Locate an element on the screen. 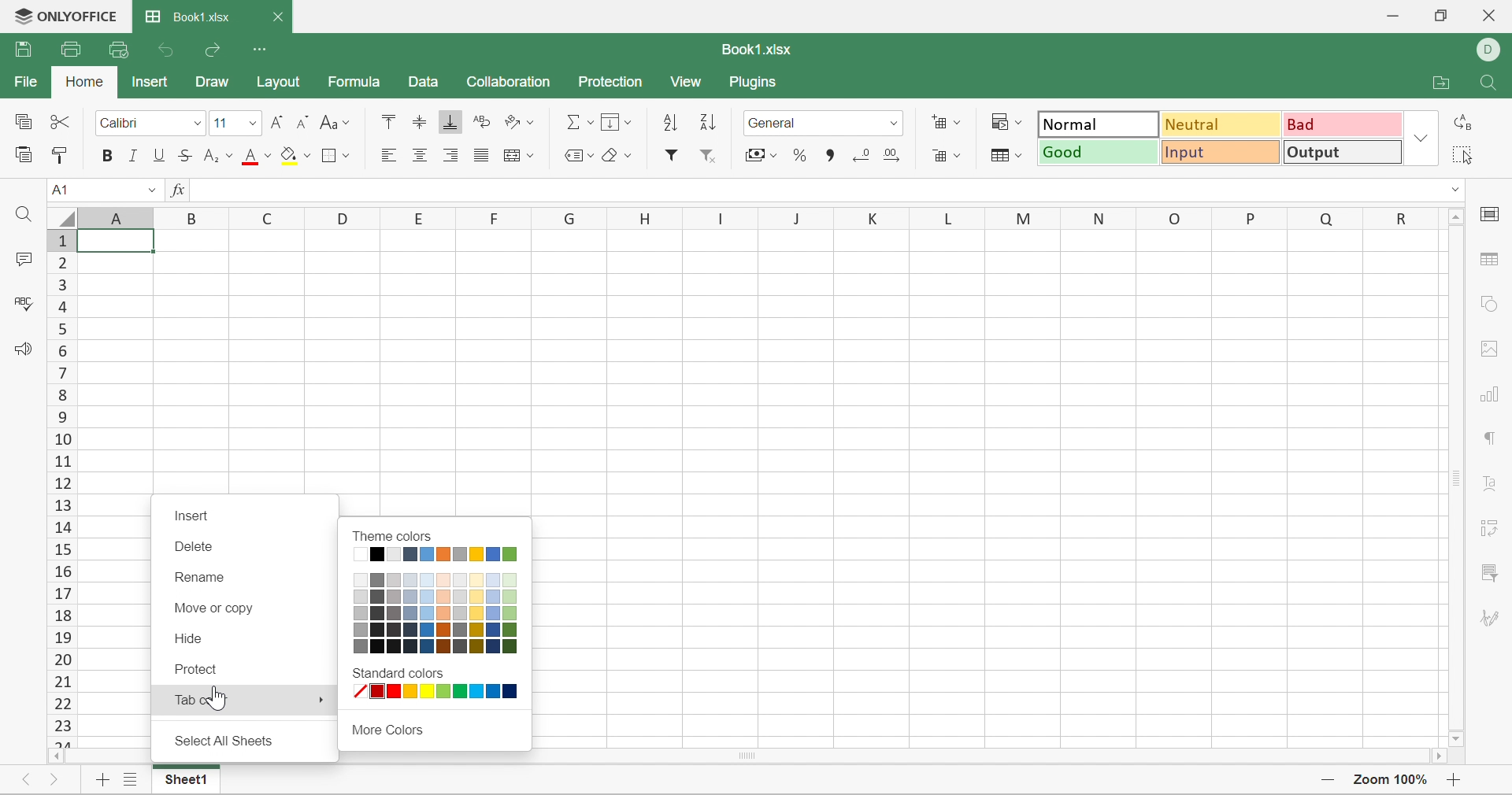  Accounting style is located at coordinates (759, 155).